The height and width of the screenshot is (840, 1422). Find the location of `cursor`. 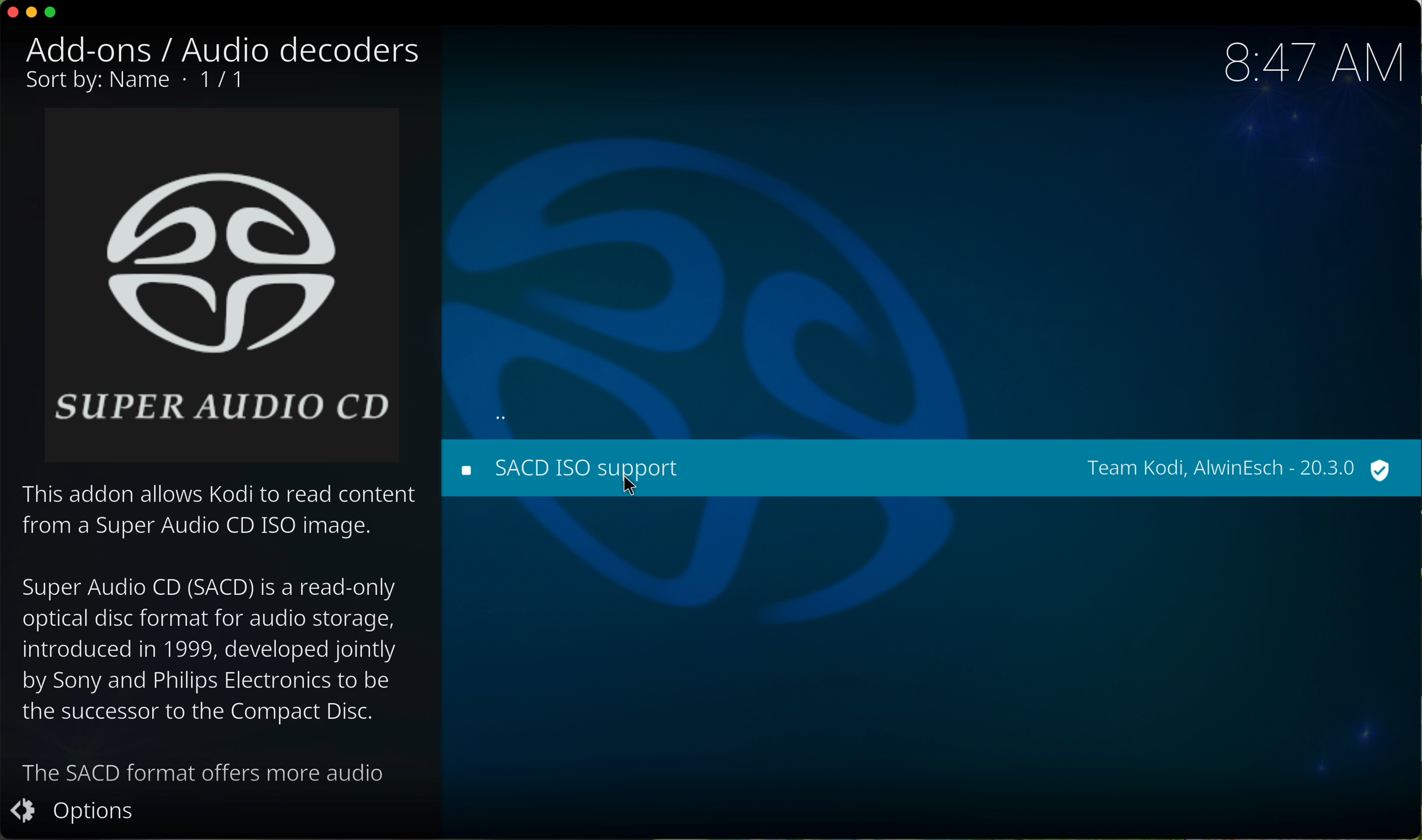

cursor is located at coordinates (631, 487).